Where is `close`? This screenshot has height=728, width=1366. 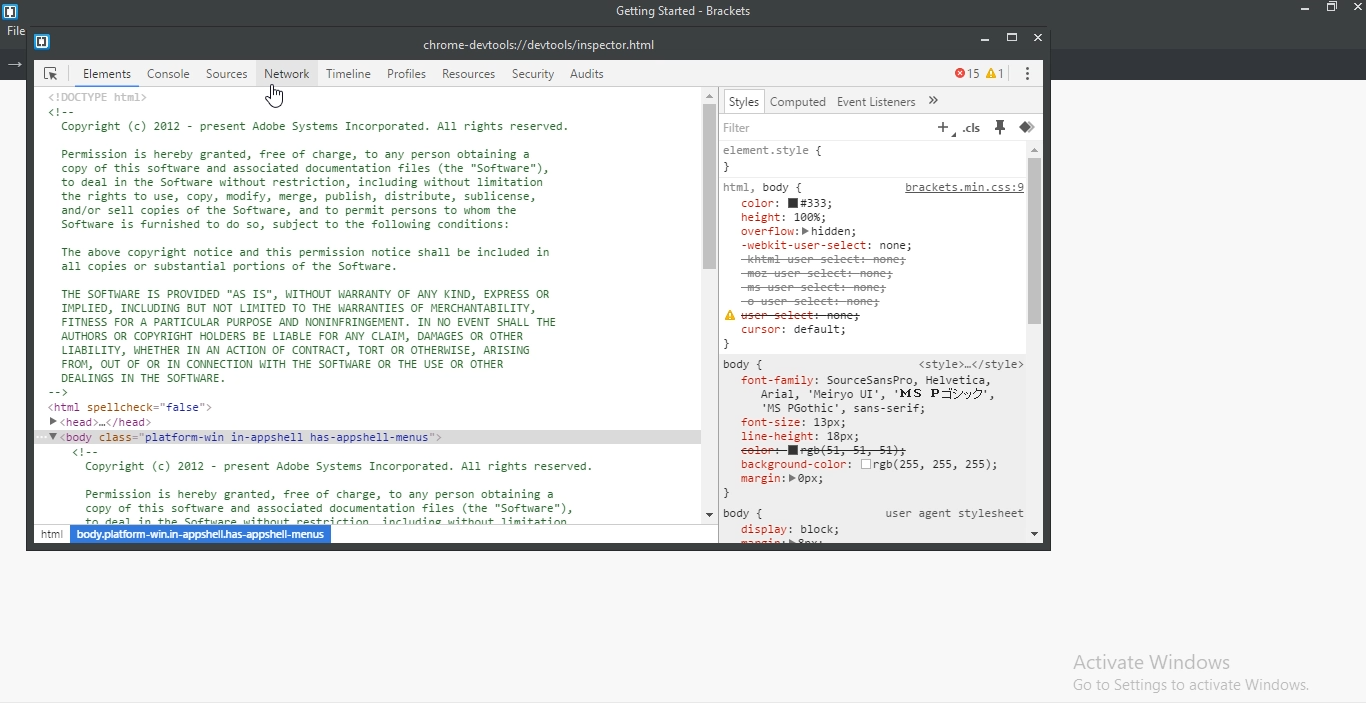
close is located at coordinates (1355, 11).